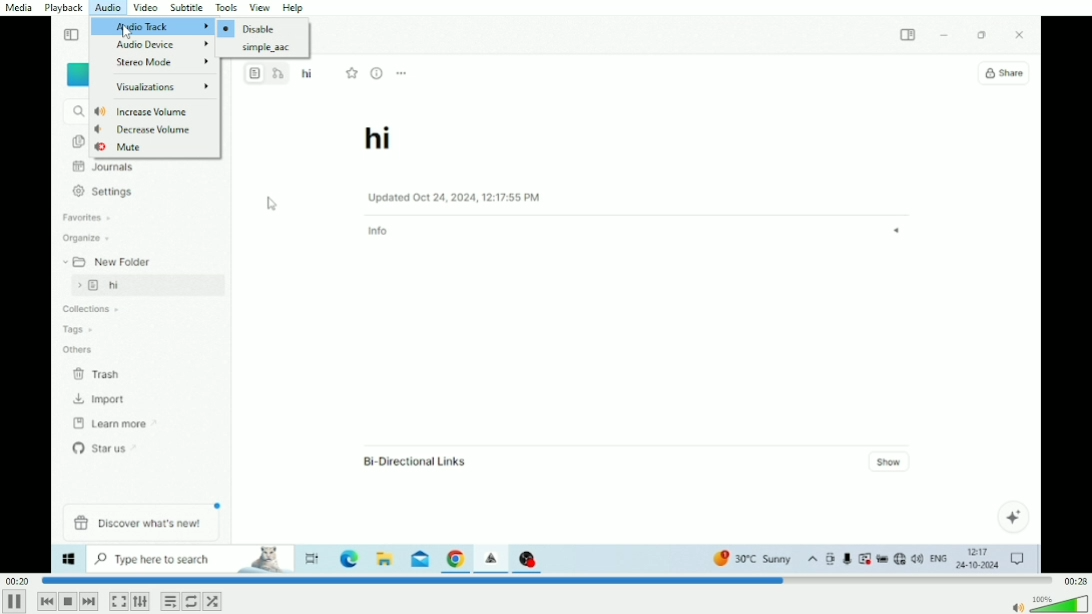 Image resolution: width=1092 pixels, height=614 pixels. I want to click on Audio Track, so click(151, 26).